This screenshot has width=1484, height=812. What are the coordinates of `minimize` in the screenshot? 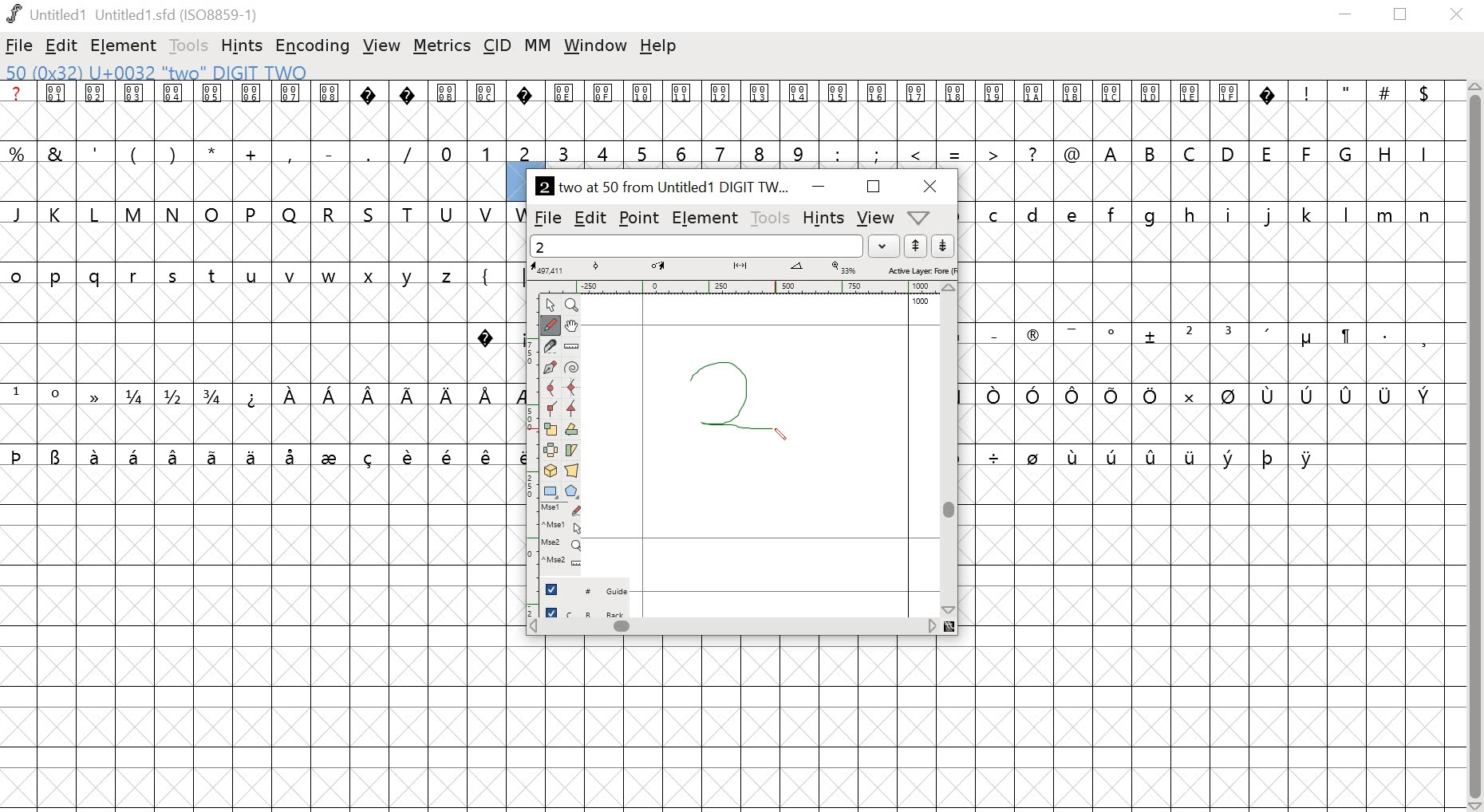 It's located at (1346, 16).